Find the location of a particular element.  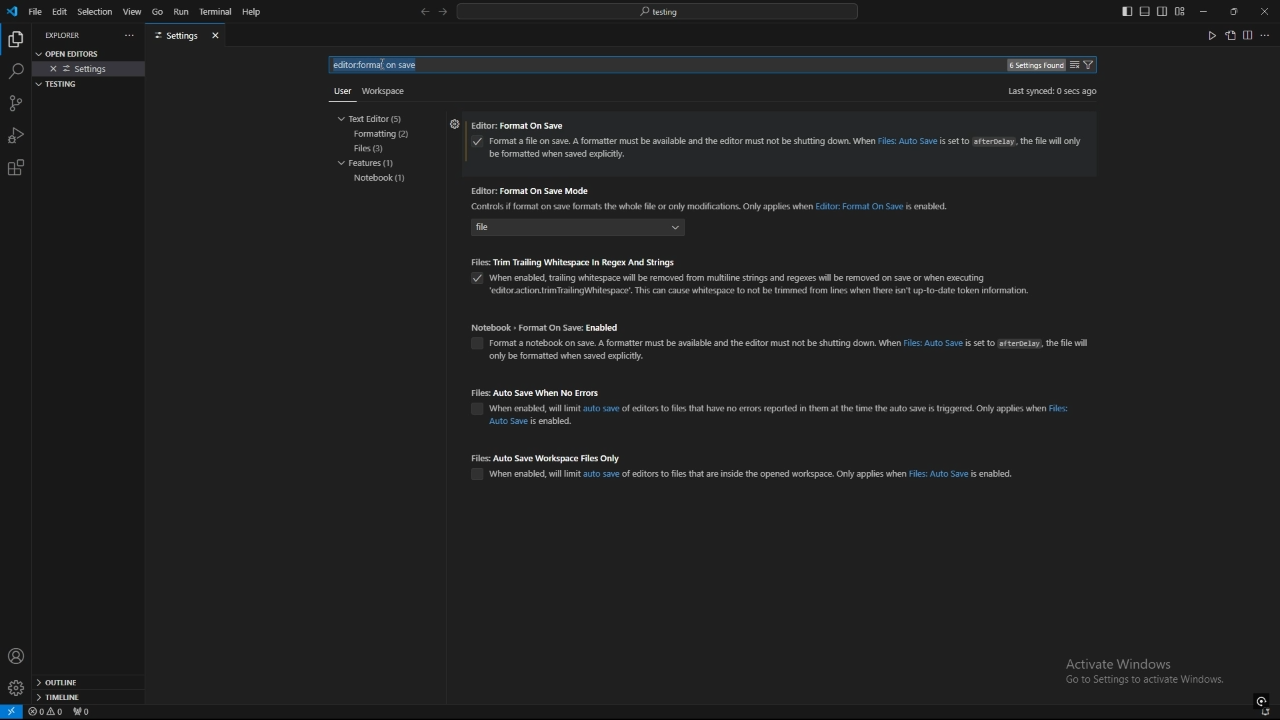

close is located at coordinates (1264, 10).